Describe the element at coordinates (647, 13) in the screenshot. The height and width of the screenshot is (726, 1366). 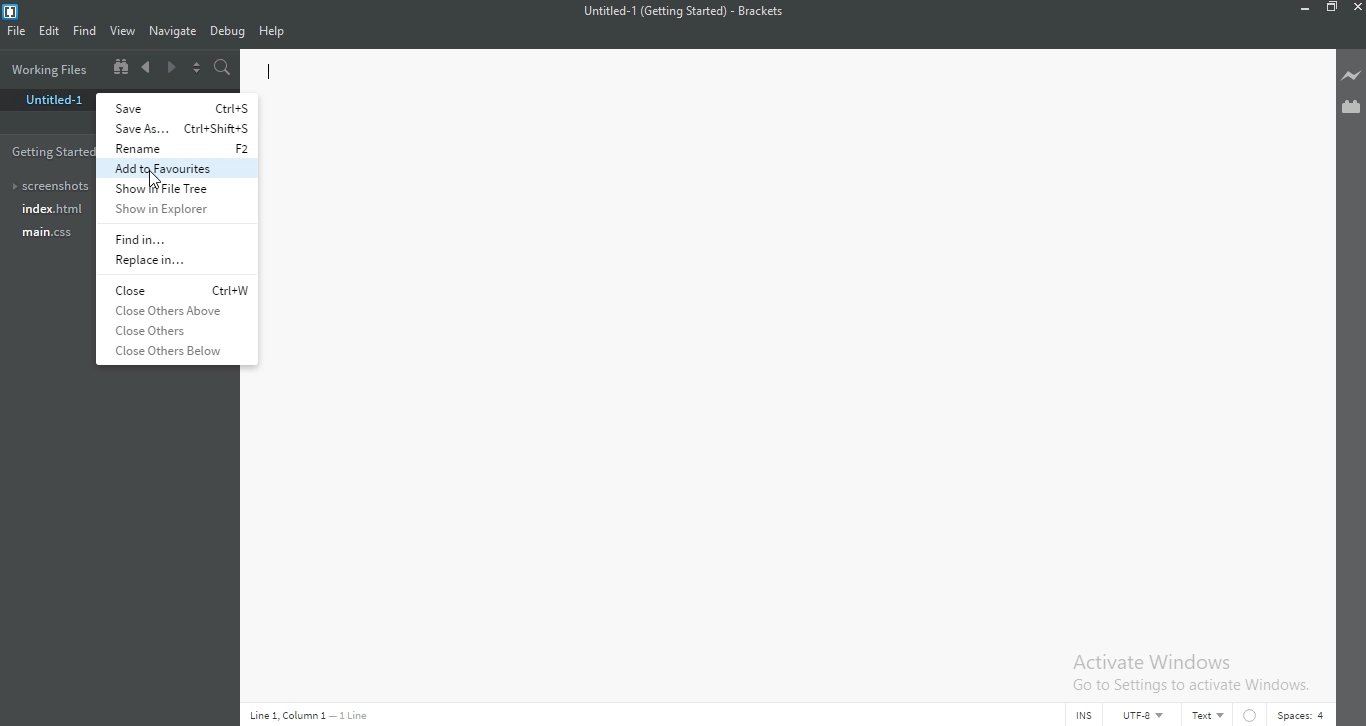
I see `file Name` at that location.